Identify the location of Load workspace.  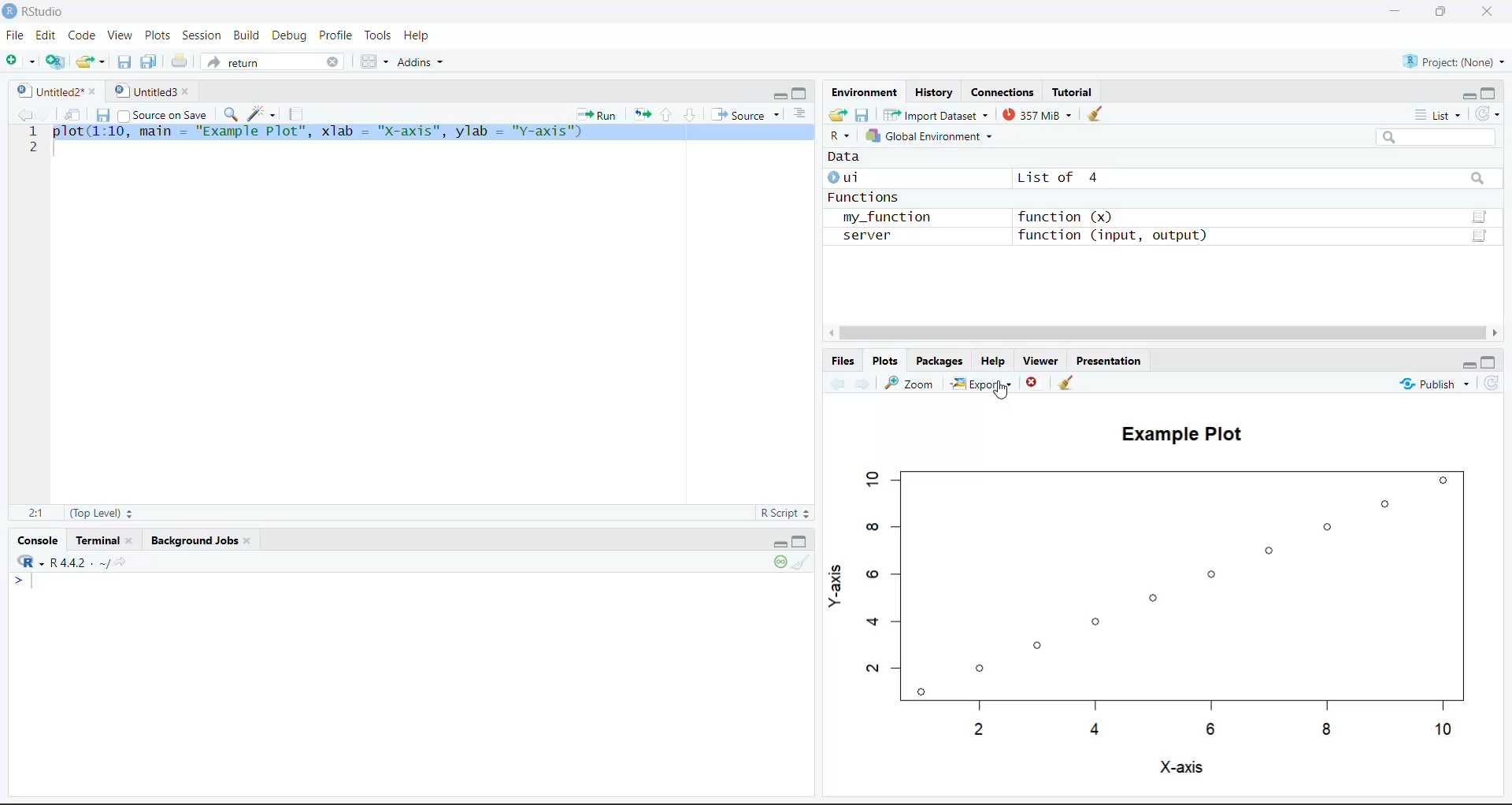
(838, 114).